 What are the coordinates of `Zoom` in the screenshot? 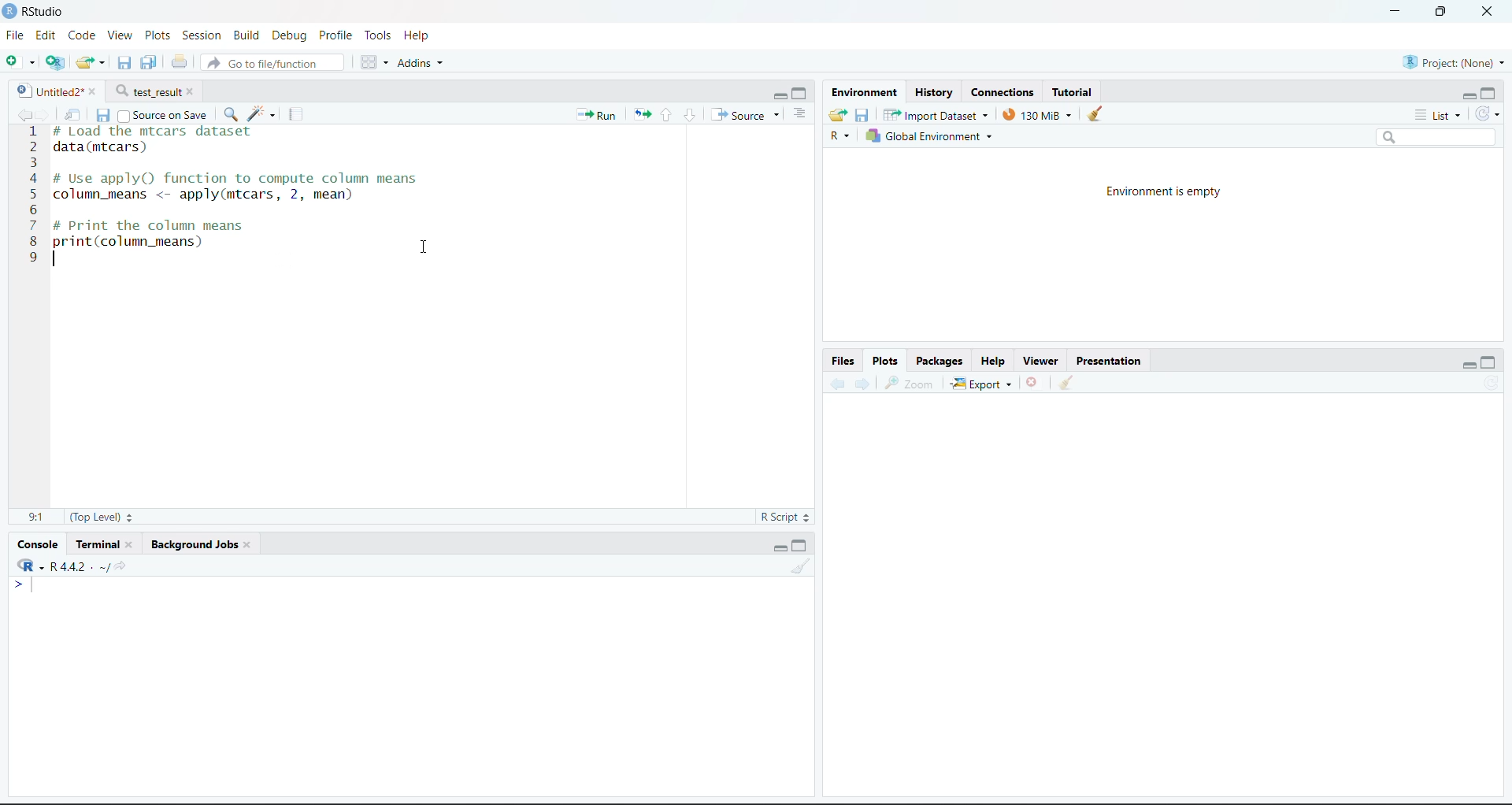 It's located at (911, 384).